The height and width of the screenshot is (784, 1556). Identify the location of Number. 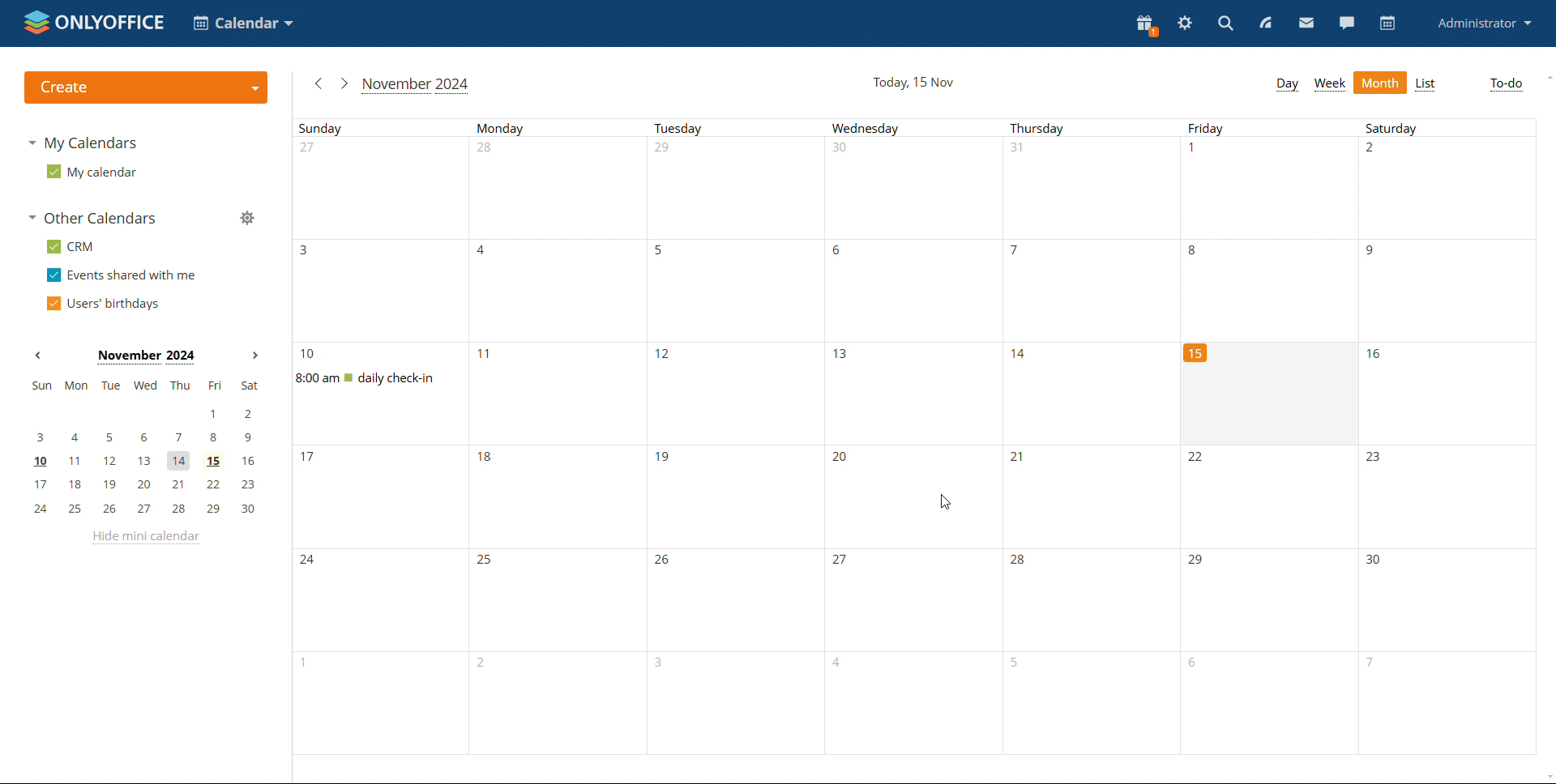
(311, 150).